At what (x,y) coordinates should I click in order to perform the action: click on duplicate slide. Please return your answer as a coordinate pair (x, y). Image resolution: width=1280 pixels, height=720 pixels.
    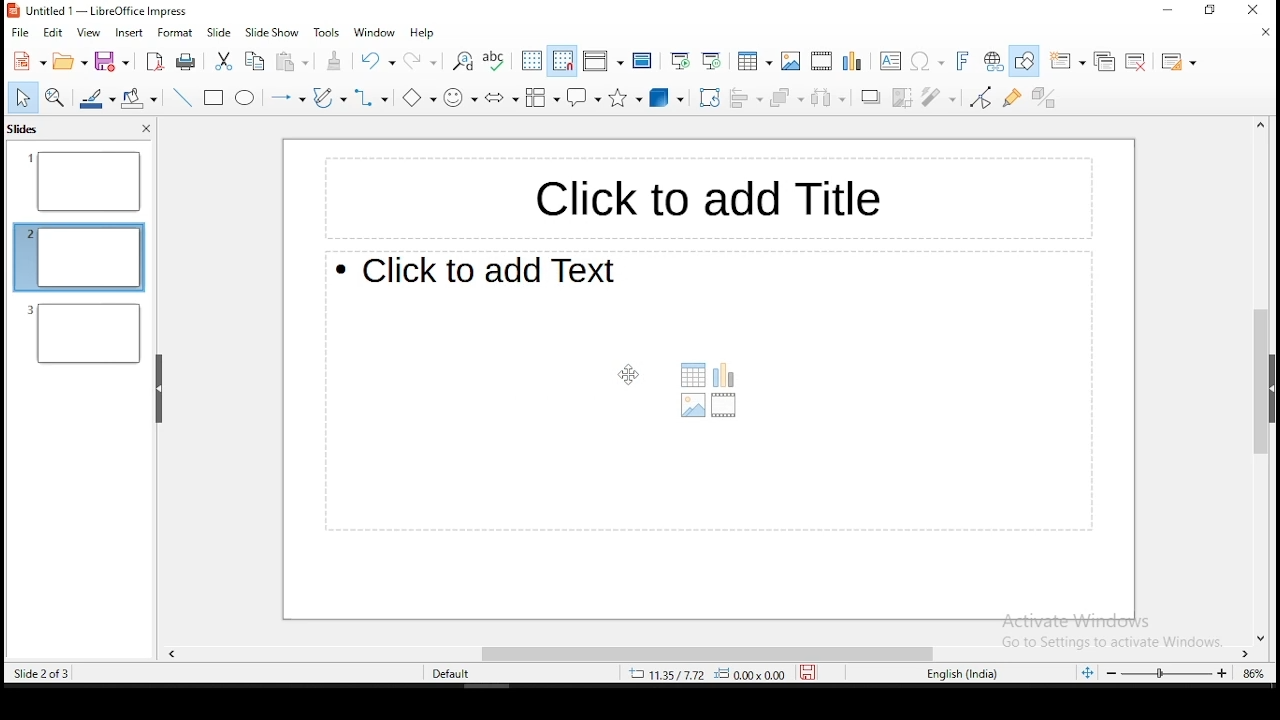
    Looking at the image, I should click on (1104, 60).